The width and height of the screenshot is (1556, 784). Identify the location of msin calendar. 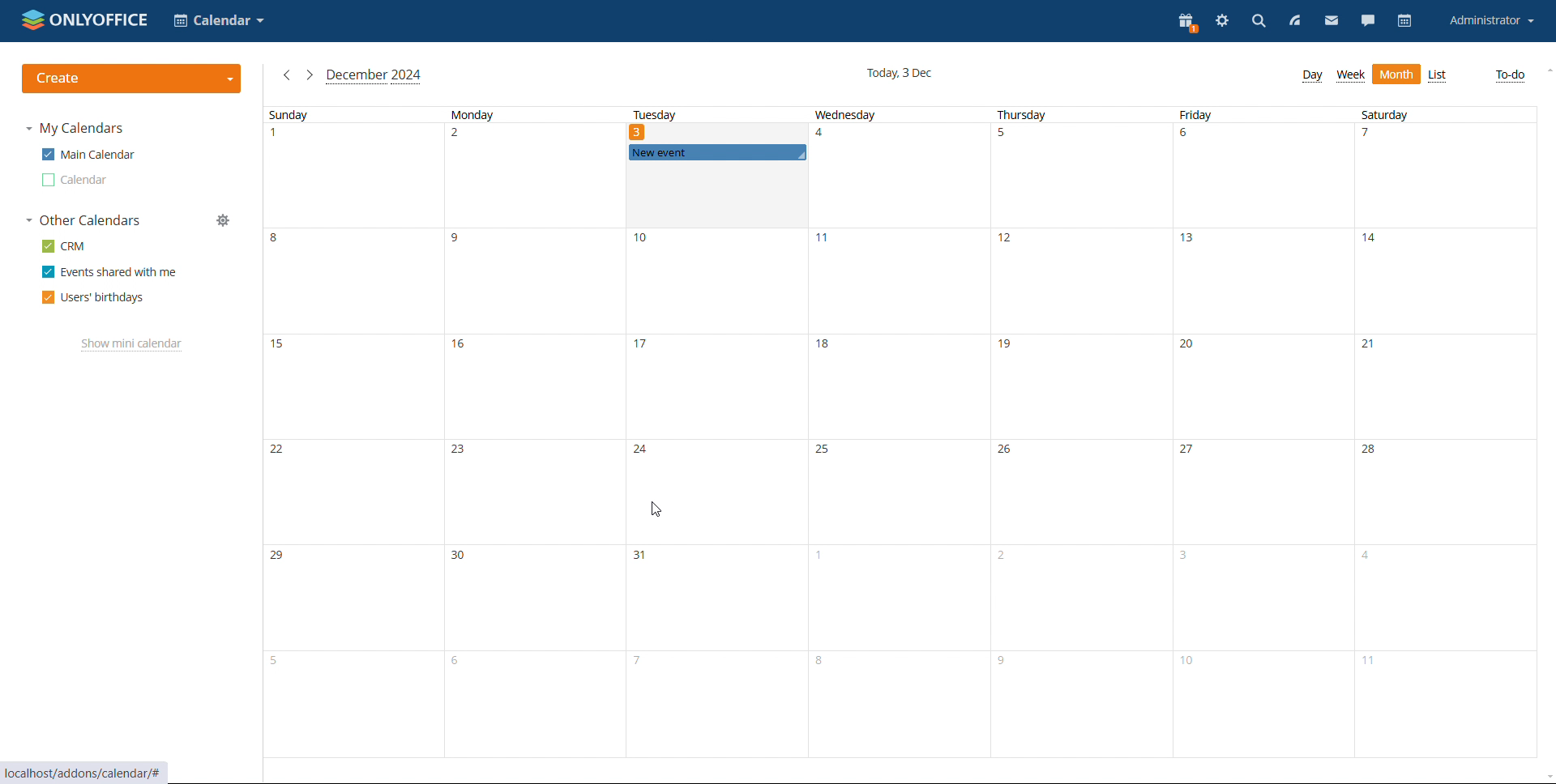
(88, 155).